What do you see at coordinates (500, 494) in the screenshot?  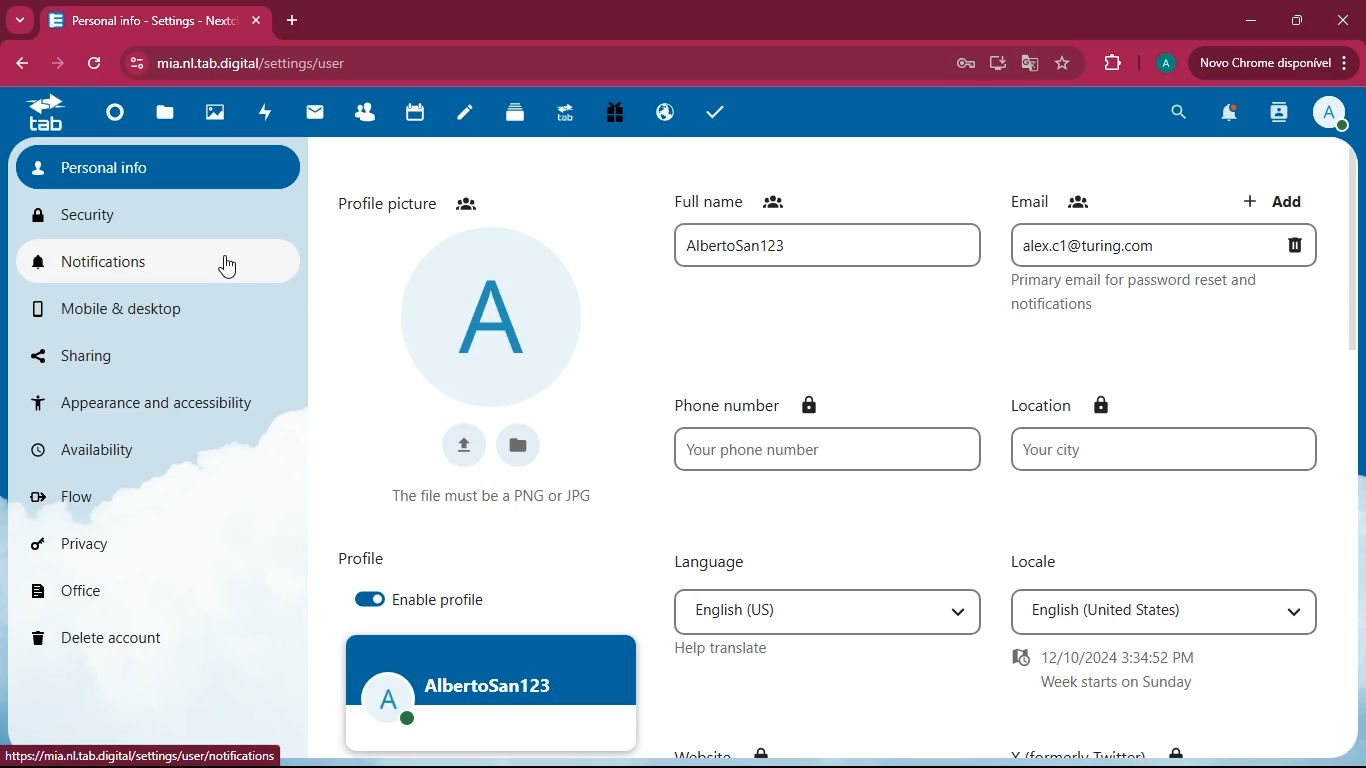 I see `condition` at bounding box center [500, 494].